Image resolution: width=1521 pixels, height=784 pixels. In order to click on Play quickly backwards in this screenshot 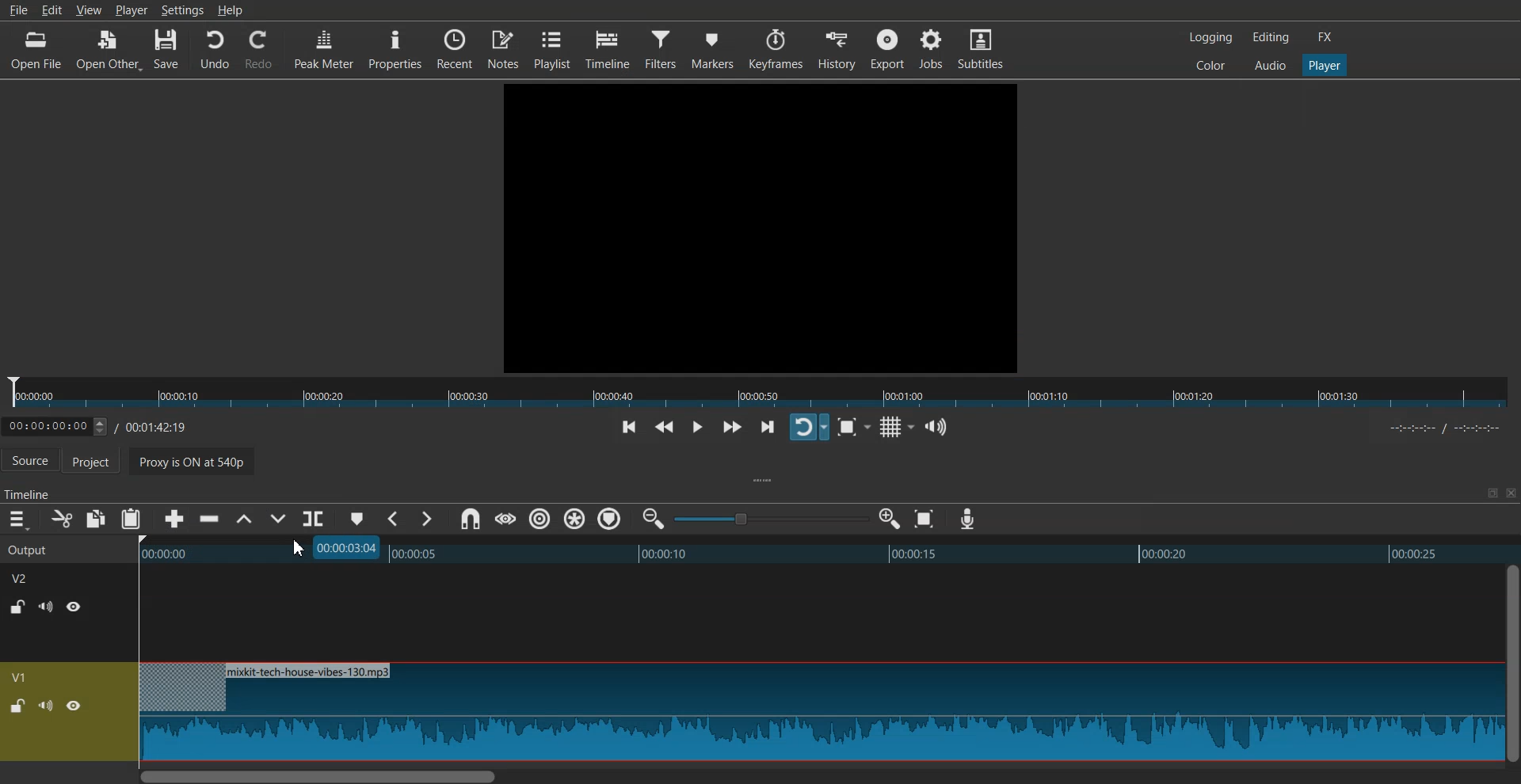, I will do `click(665, 428)`.